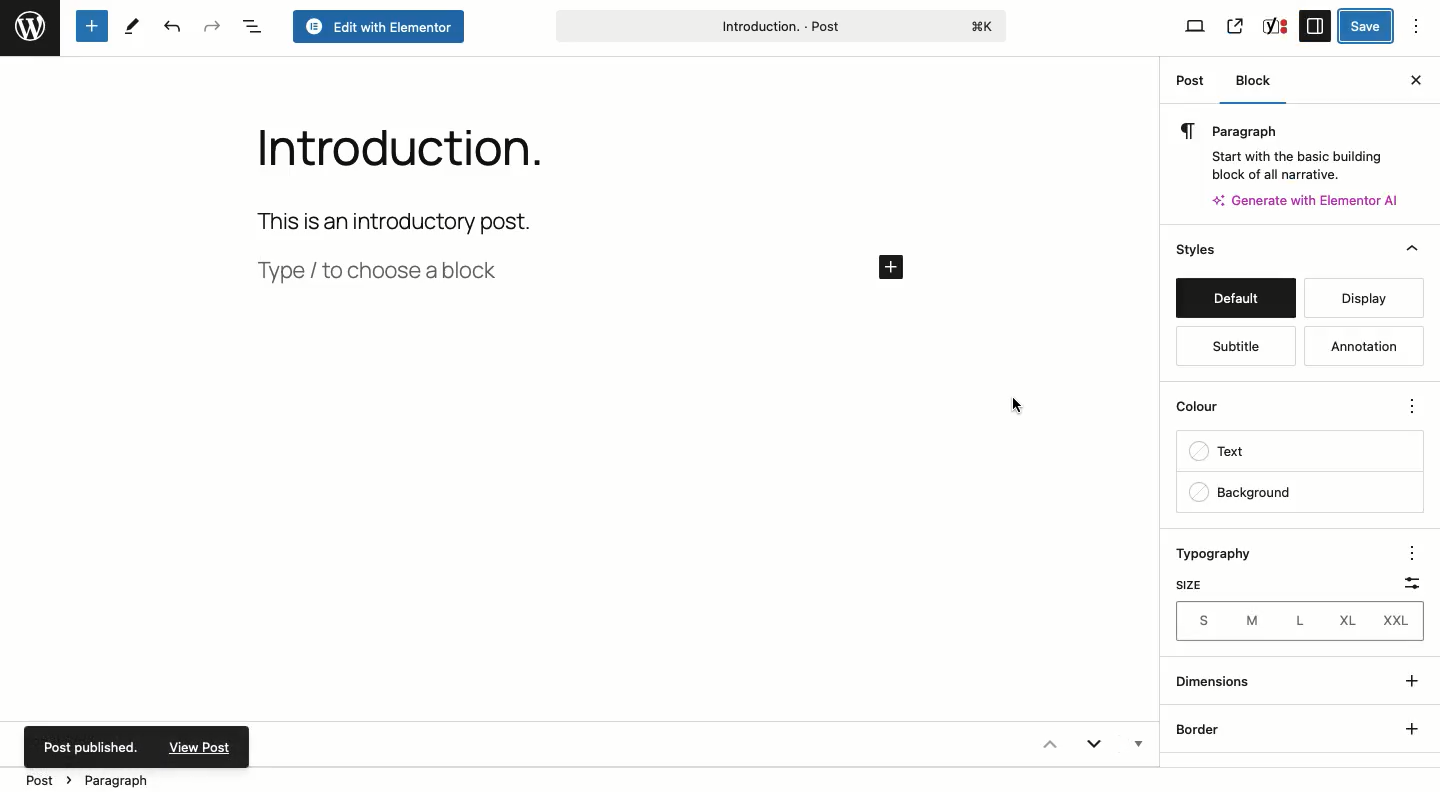 This screenshot has width=1440, height=792. Describe the element at coordinates (1094, 747) in the screenshot. I see `Expand` at that location.